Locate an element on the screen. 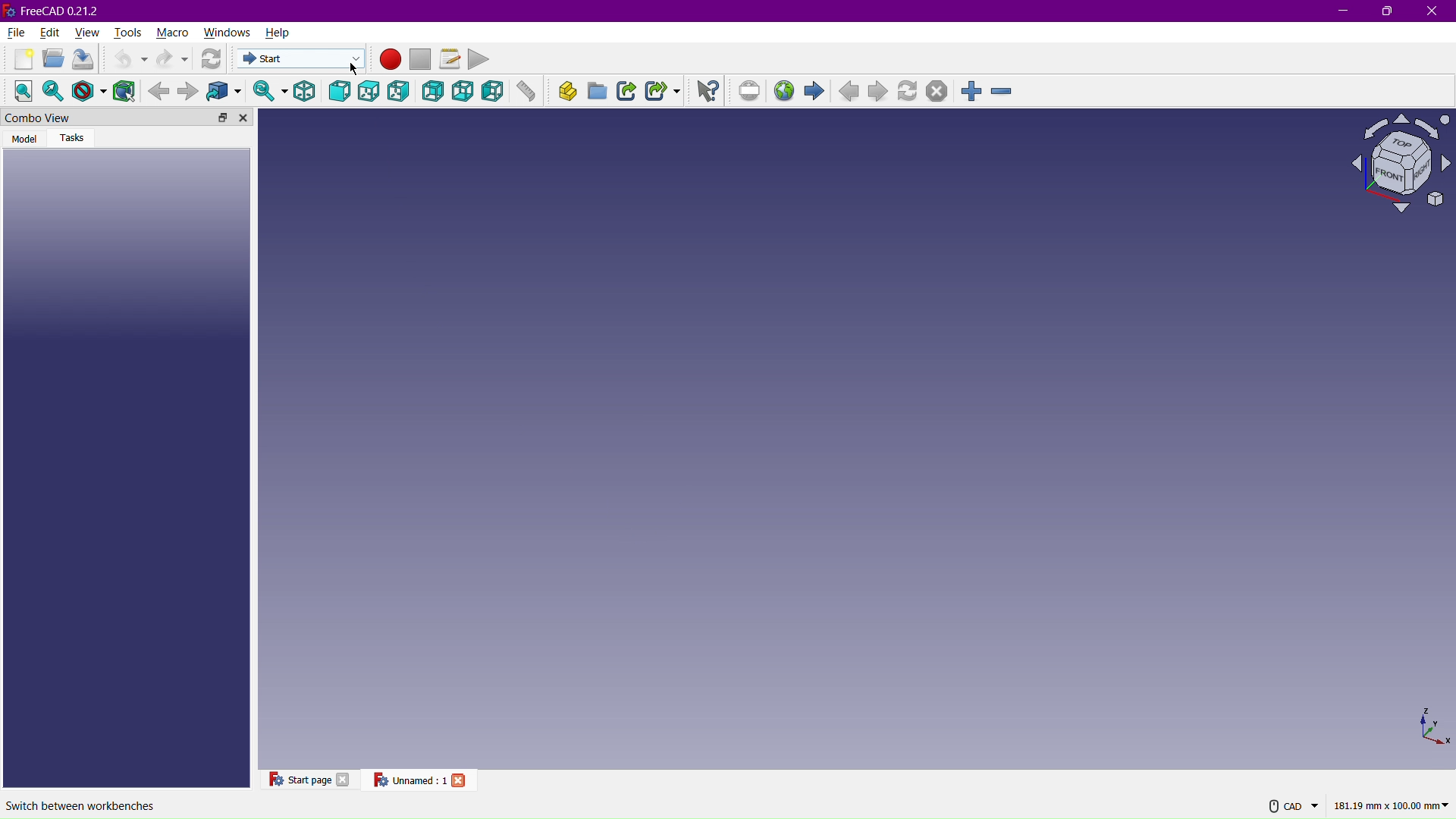 The image size is (1456, 819). Start is located at coordinates (814, 92).